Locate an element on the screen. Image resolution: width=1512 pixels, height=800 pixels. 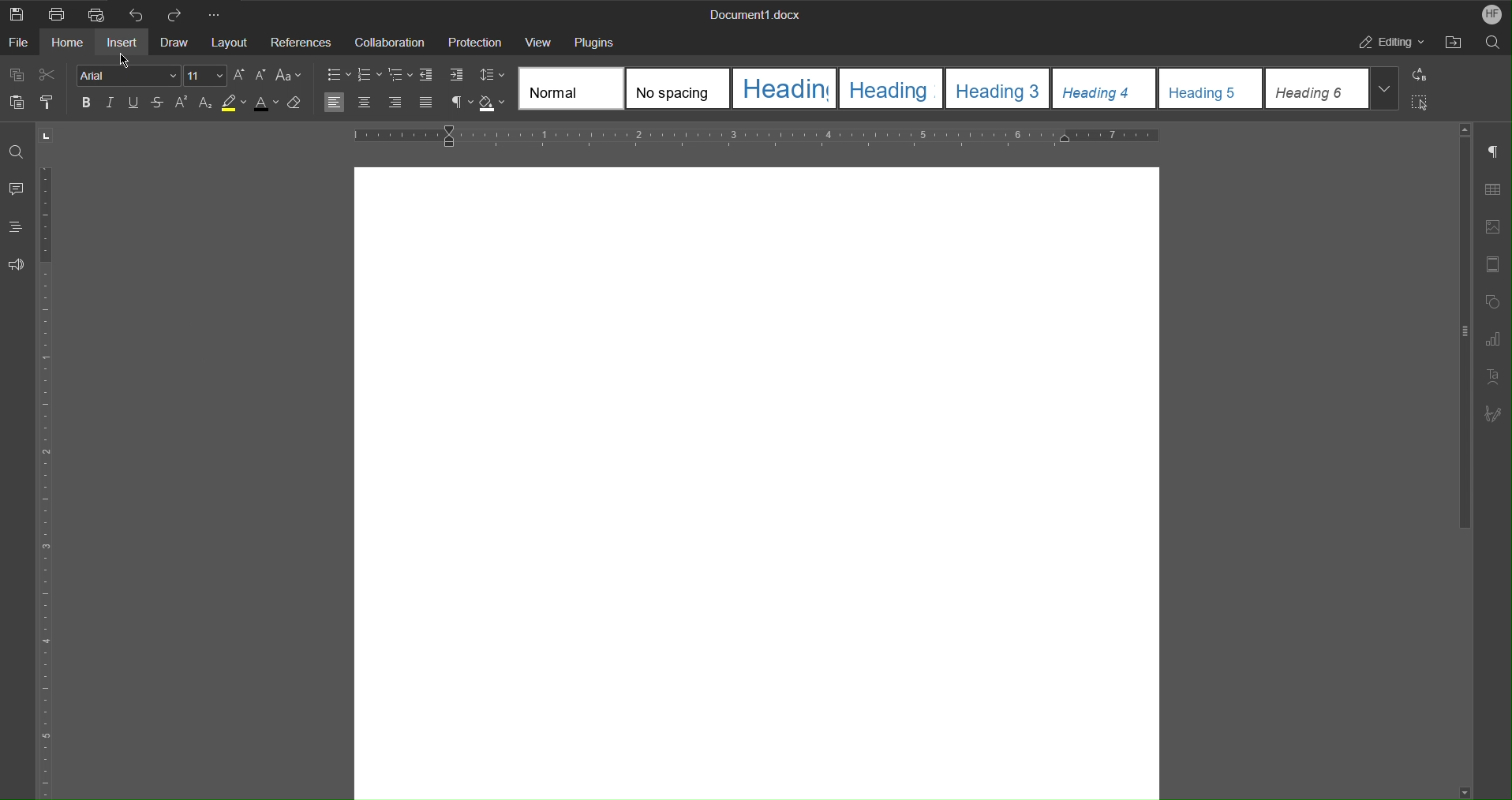
Search is located at coordinates (1496, 43).